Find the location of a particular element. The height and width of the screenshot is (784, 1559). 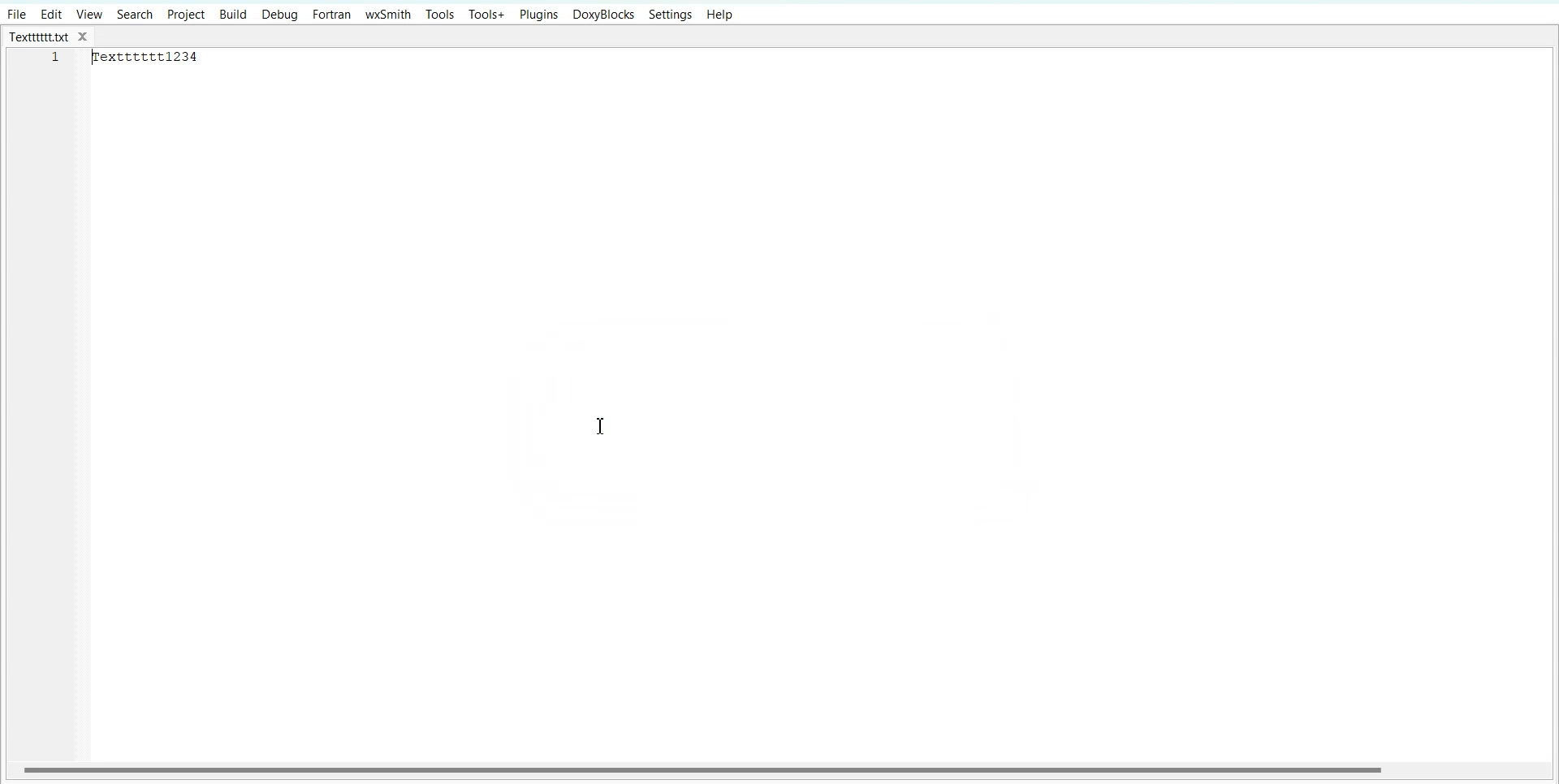

close is located at coordinates (87, 37).